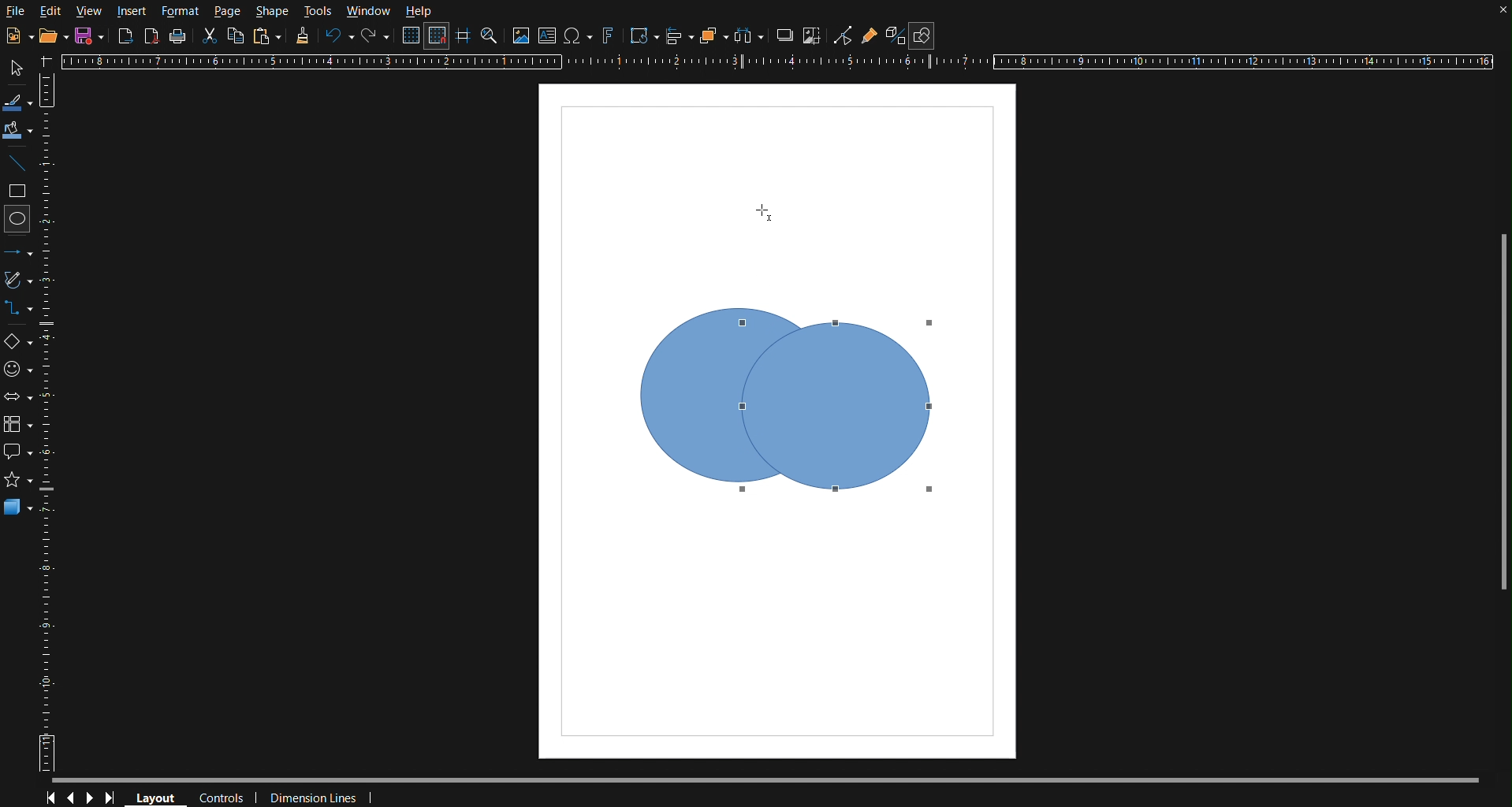  What do you see at coordinates (870, 37) in the screenshot?
I see `Gluepoint Function` at bounding box center [870, 37].